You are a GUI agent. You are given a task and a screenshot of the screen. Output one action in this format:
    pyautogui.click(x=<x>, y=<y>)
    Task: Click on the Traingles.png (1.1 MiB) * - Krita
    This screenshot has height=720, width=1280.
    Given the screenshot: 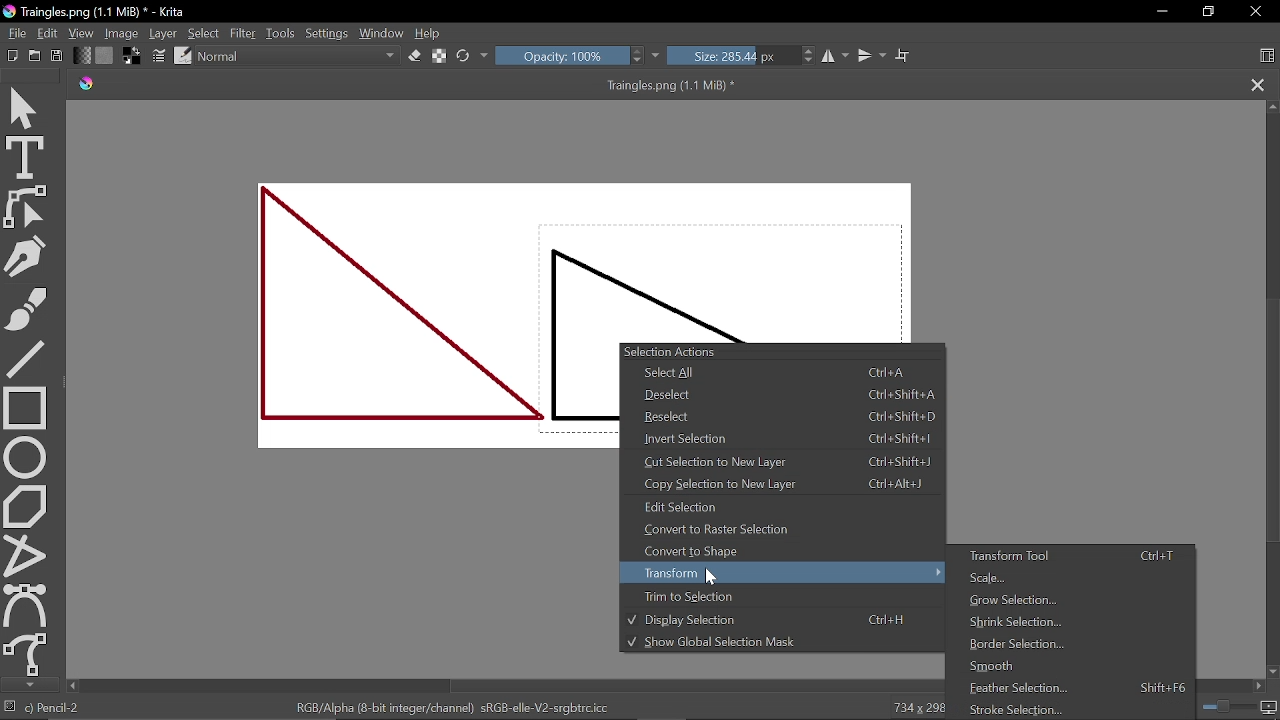 What is the action you would take?
    pyautogui.click(x=99, y=12)
    